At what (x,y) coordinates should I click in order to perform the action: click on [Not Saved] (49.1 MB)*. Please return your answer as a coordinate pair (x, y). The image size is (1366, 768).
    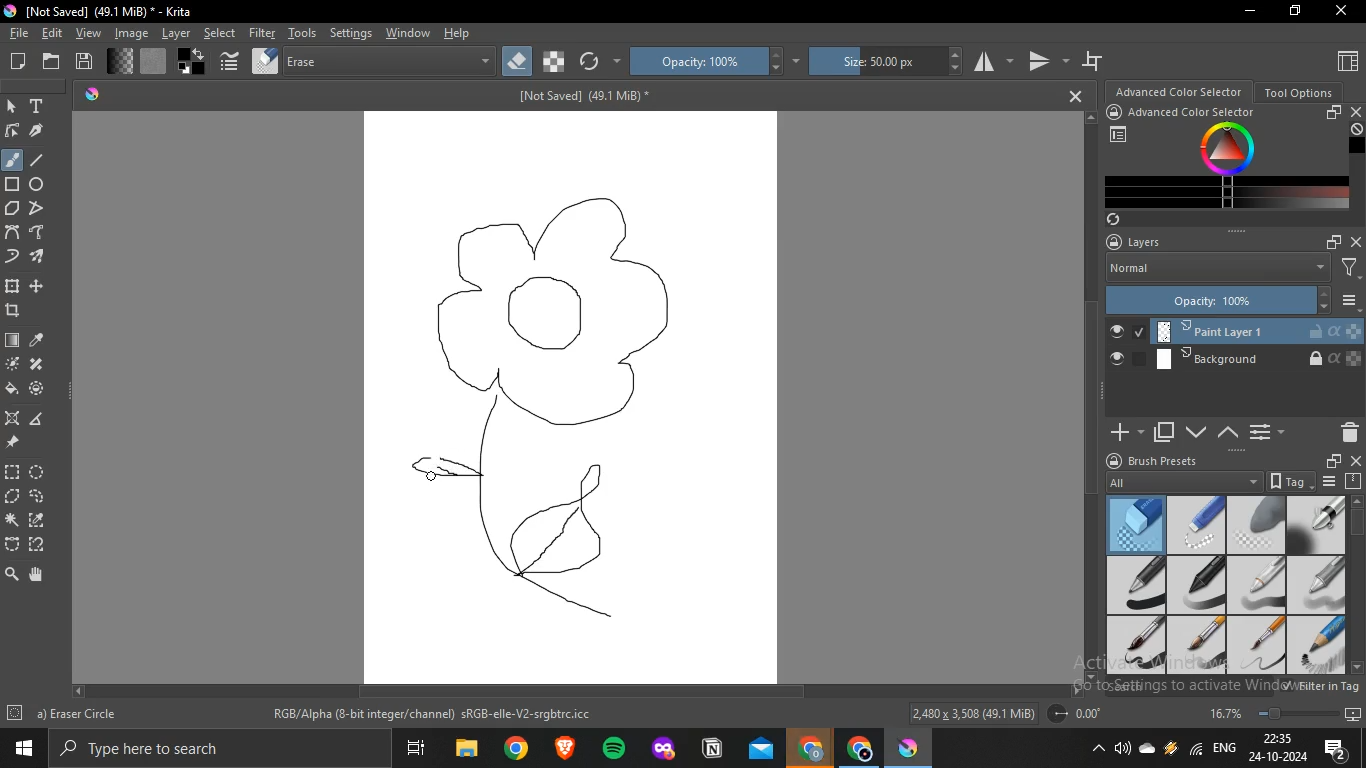
    Looking at the image, I should click on (582, 97).